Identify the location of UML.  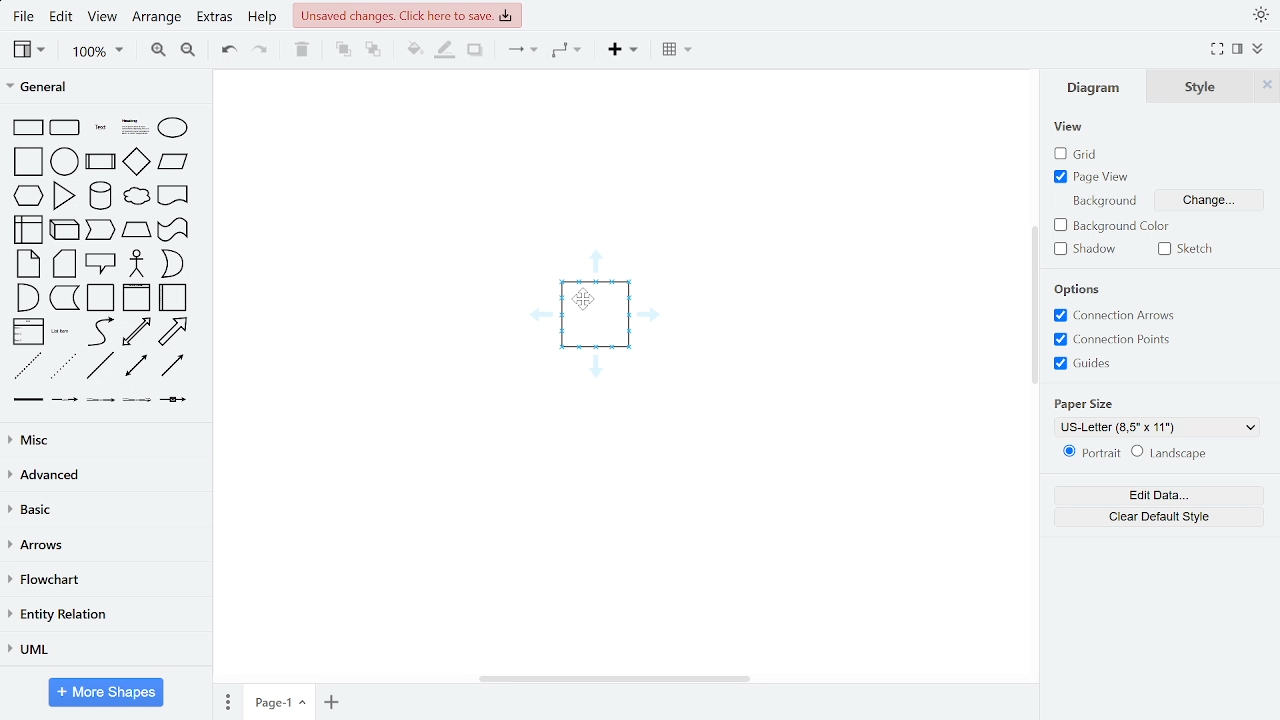
(103, 646).